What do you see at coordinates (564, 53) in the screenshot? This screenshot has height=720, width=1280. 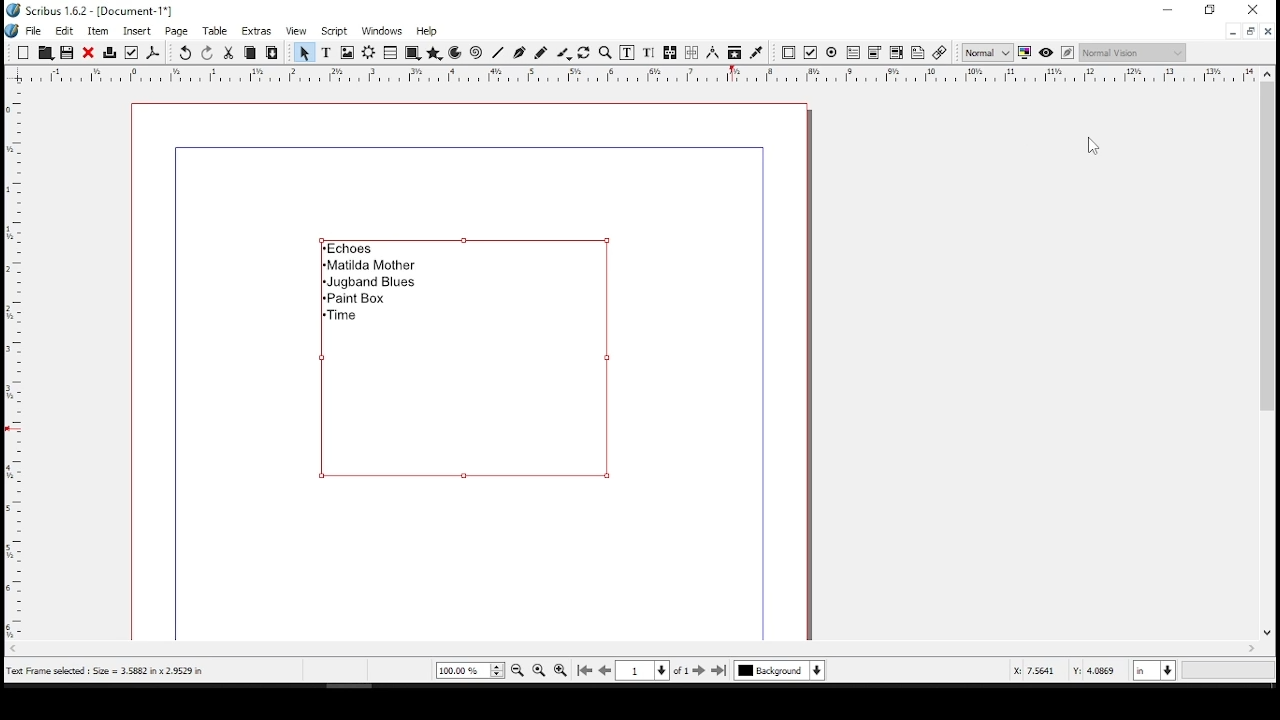 I see `calligraphy lines` at bounding box center [564, 53].